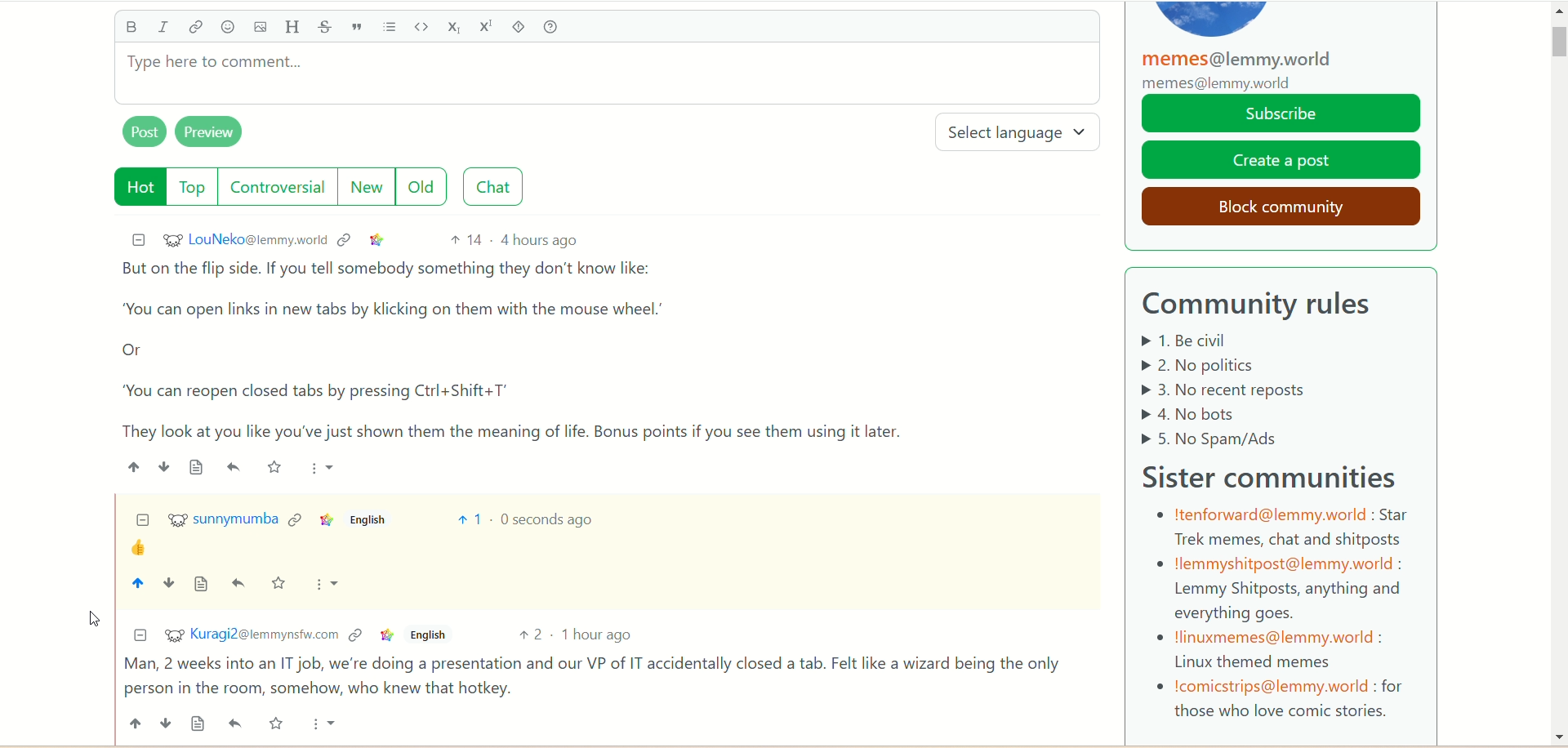 This screenshot has height=748, width=1568. I want to click on list, so click(393, 28).